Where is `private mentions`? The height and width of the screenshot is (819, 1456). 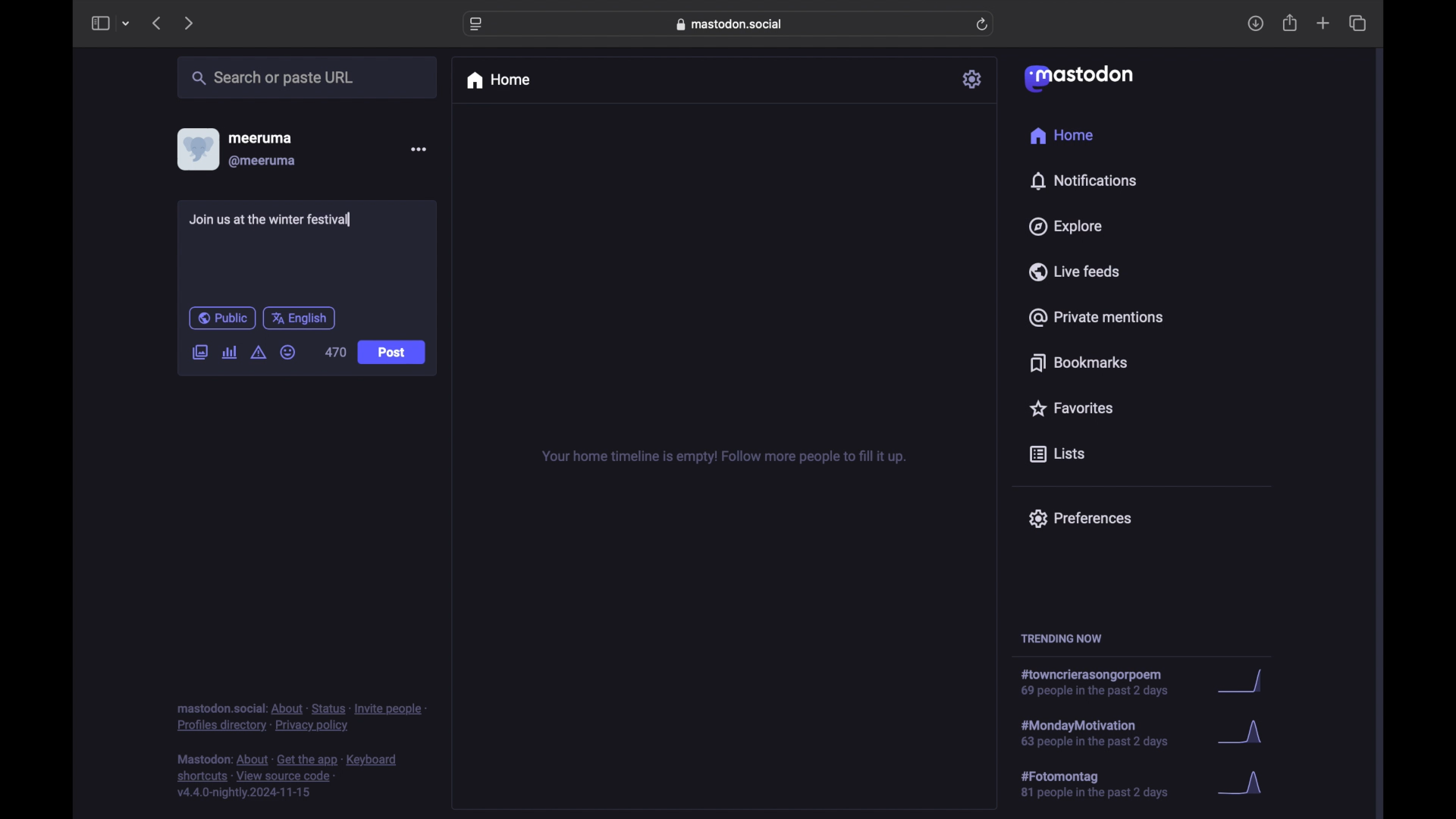 private mentions is located at coordinates (1097, 317).